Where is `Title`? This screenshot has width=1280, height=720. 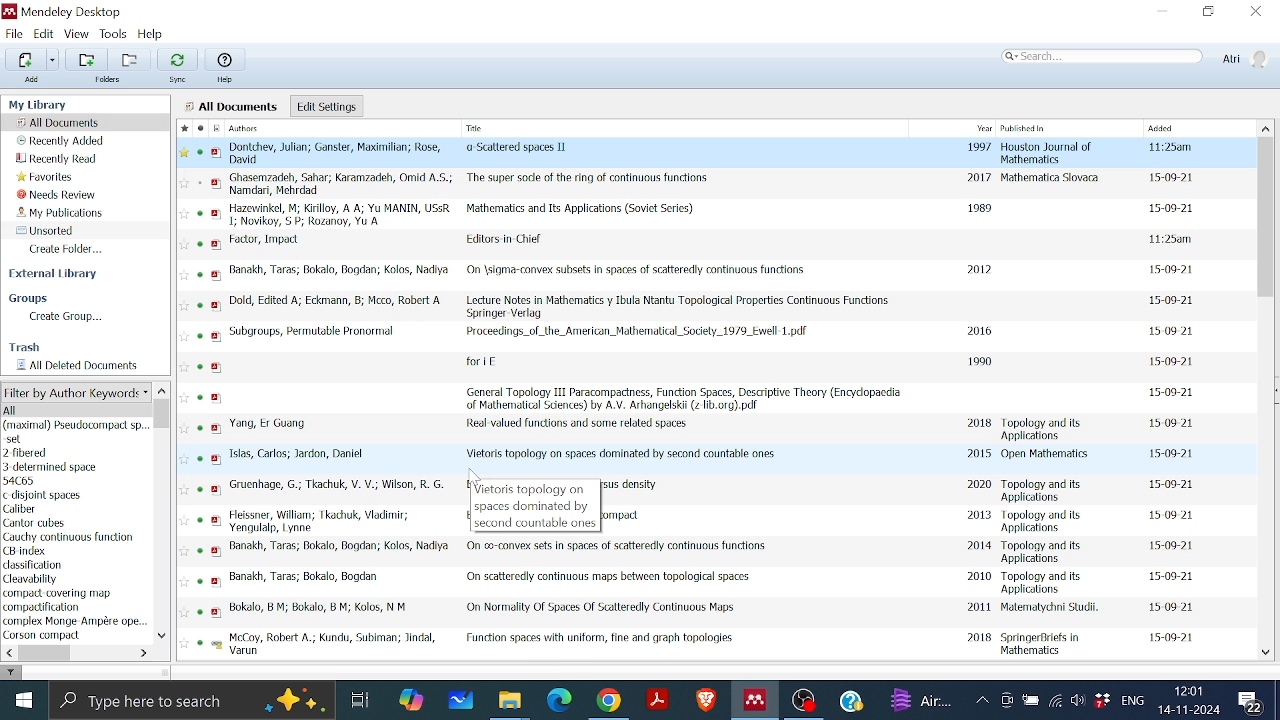
Title is located at coordinates (508, 240).